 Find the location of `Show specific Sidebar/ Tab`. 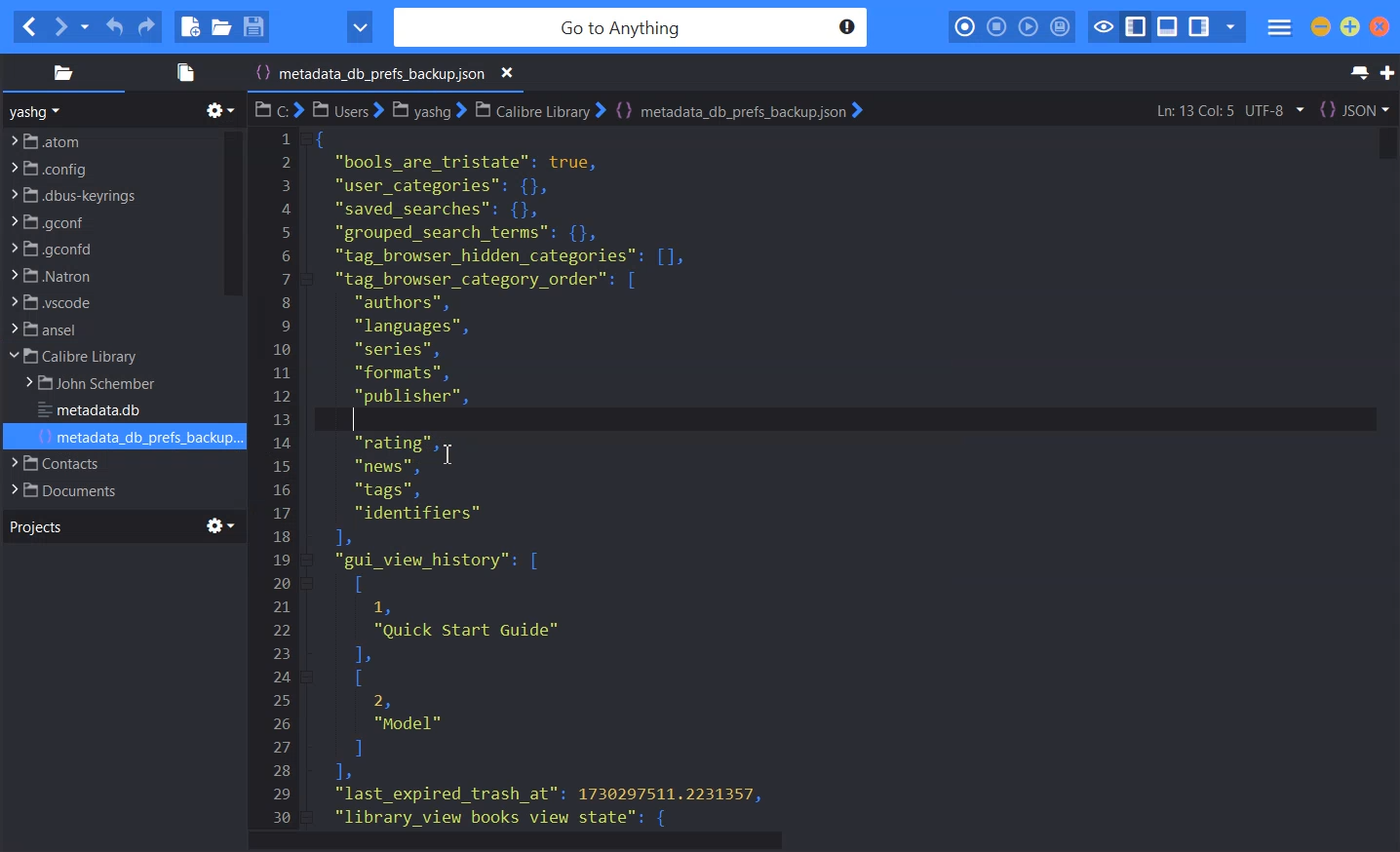

Show specific Sidebar/ Tab is located at coordinates (1230, 27).